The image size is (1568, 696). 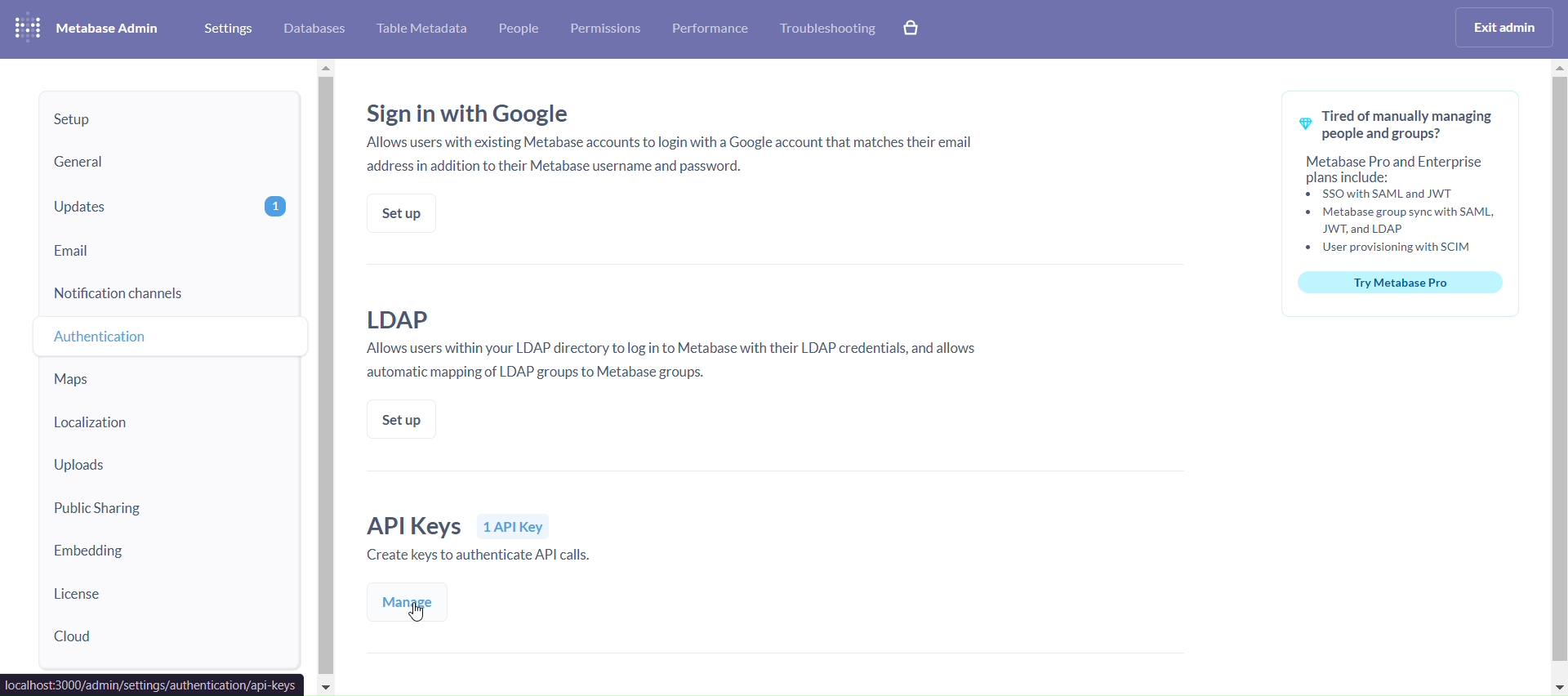 What do you see at coordinates (165, 511) in the screenshot?
I see `public sharing` at bounding box center [165, 511].